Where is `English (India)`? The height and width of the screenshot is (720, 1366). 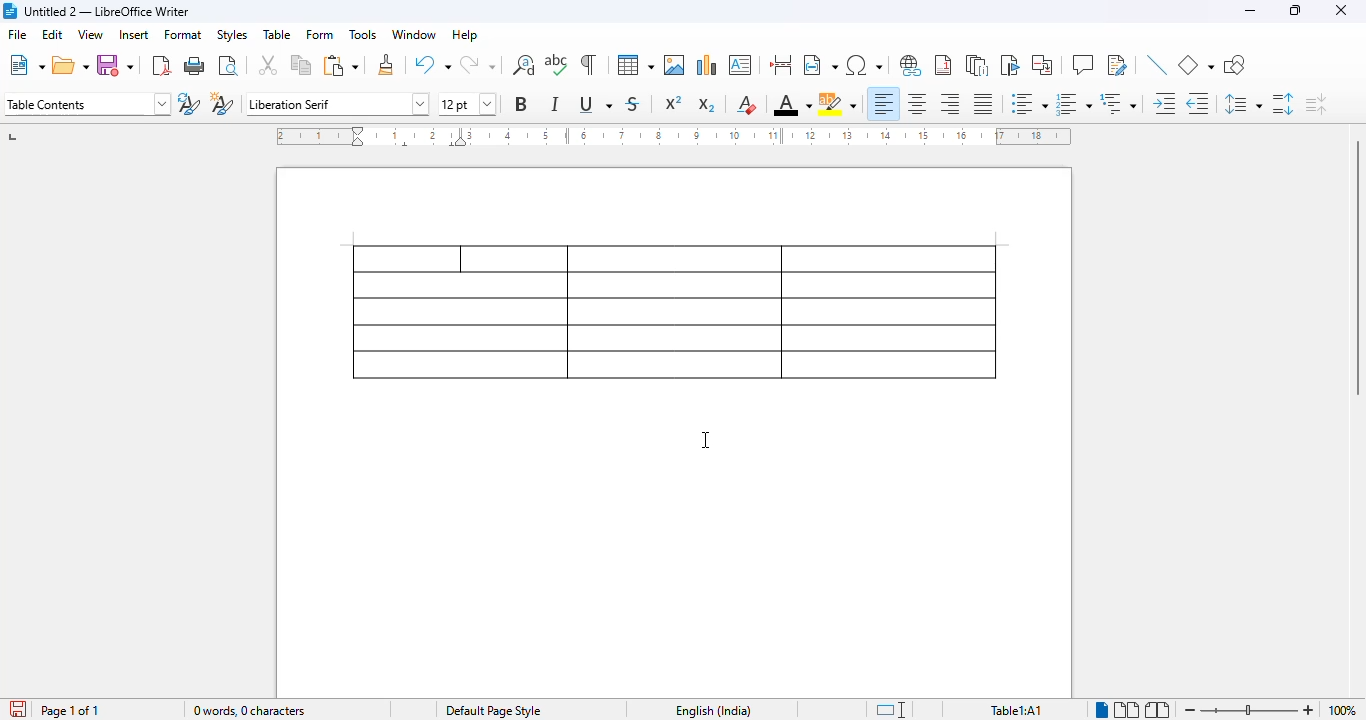 English (India) is located at coordinates (713, 710).